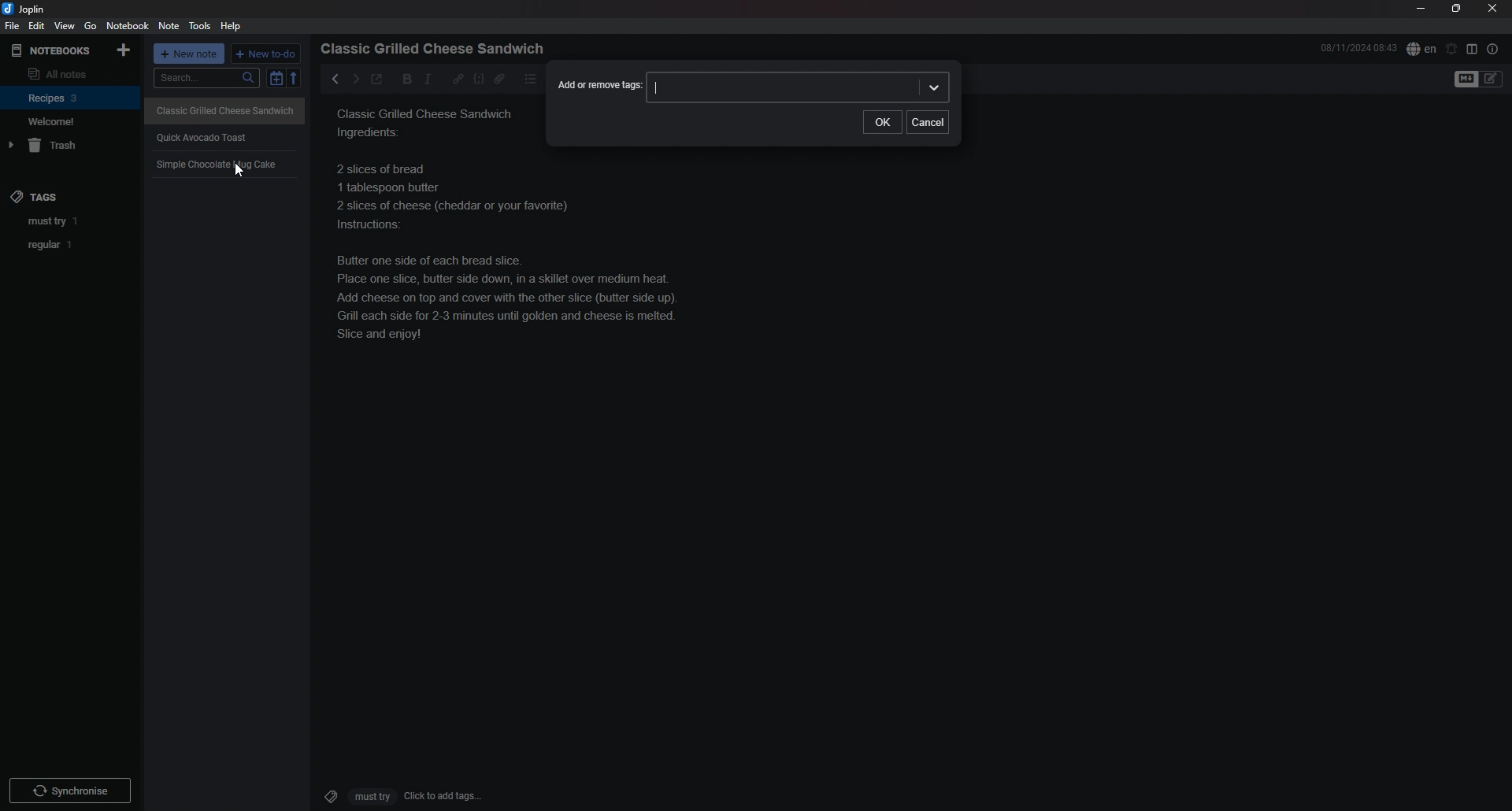 The width and height of the screenshot is (1512, 811). I want to click on minimize, so click(1421, 9).